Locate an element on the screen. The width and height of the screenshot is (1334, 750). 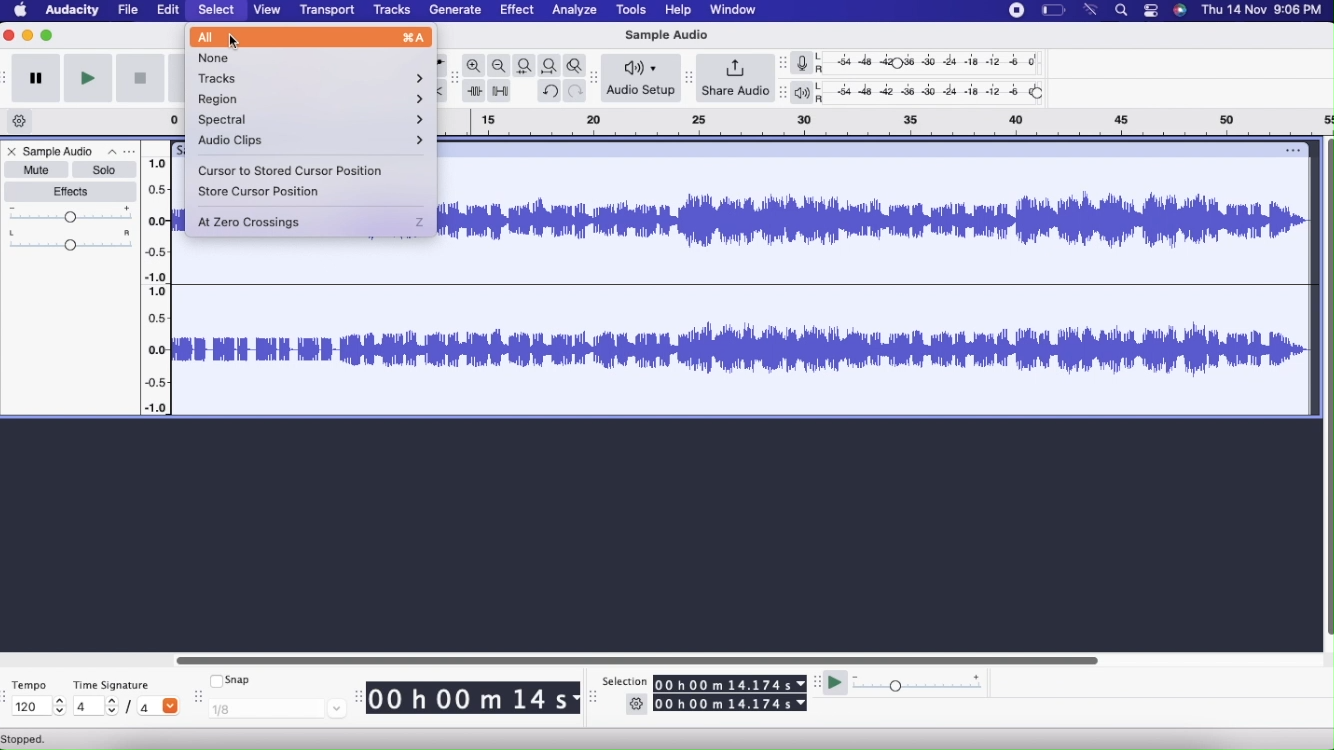
Playback level is located at coordinates (937, 94).